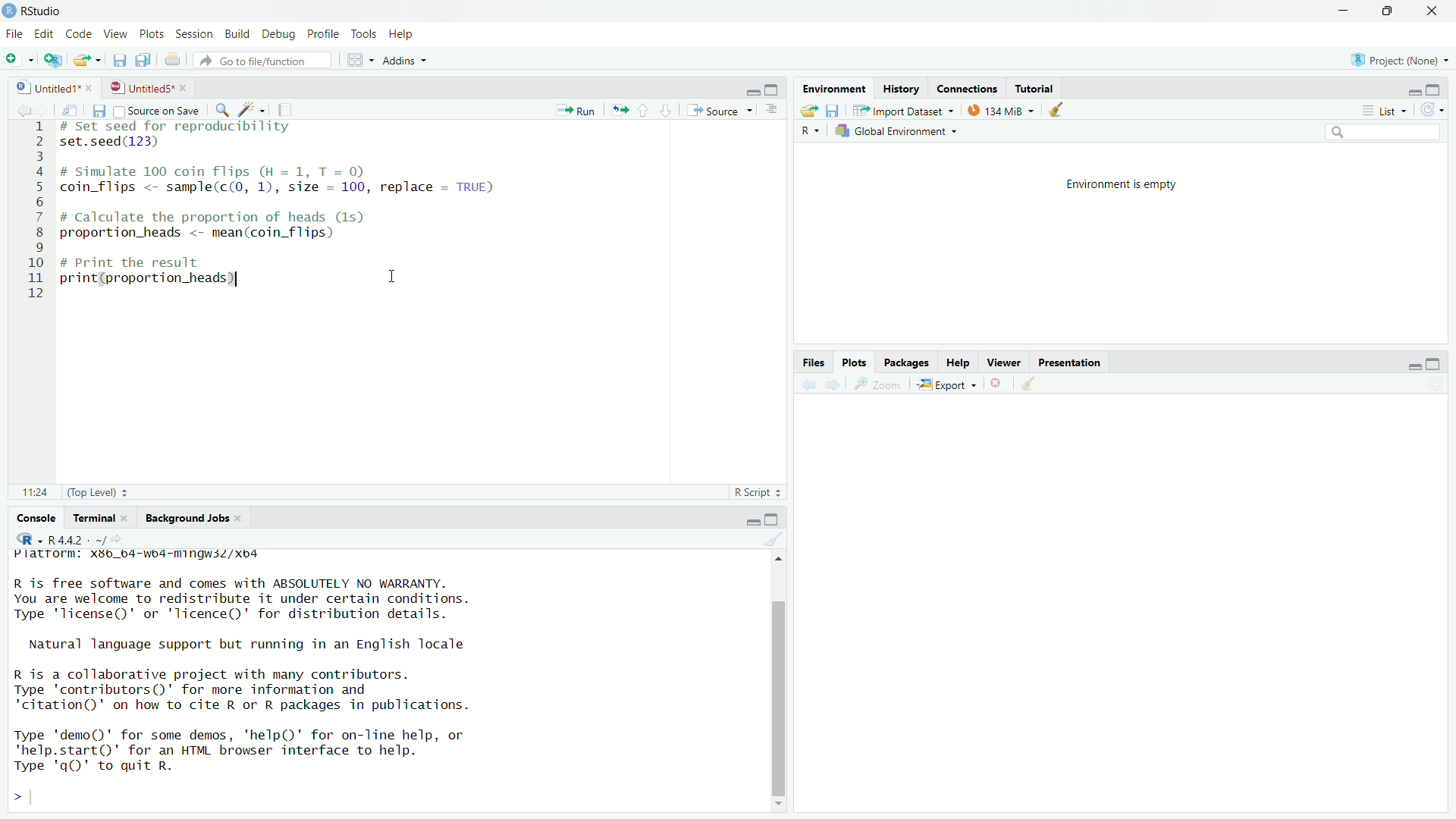 The height and width of the screenshot is (819, 1456). I want to click on minimize, so click(748, 89).